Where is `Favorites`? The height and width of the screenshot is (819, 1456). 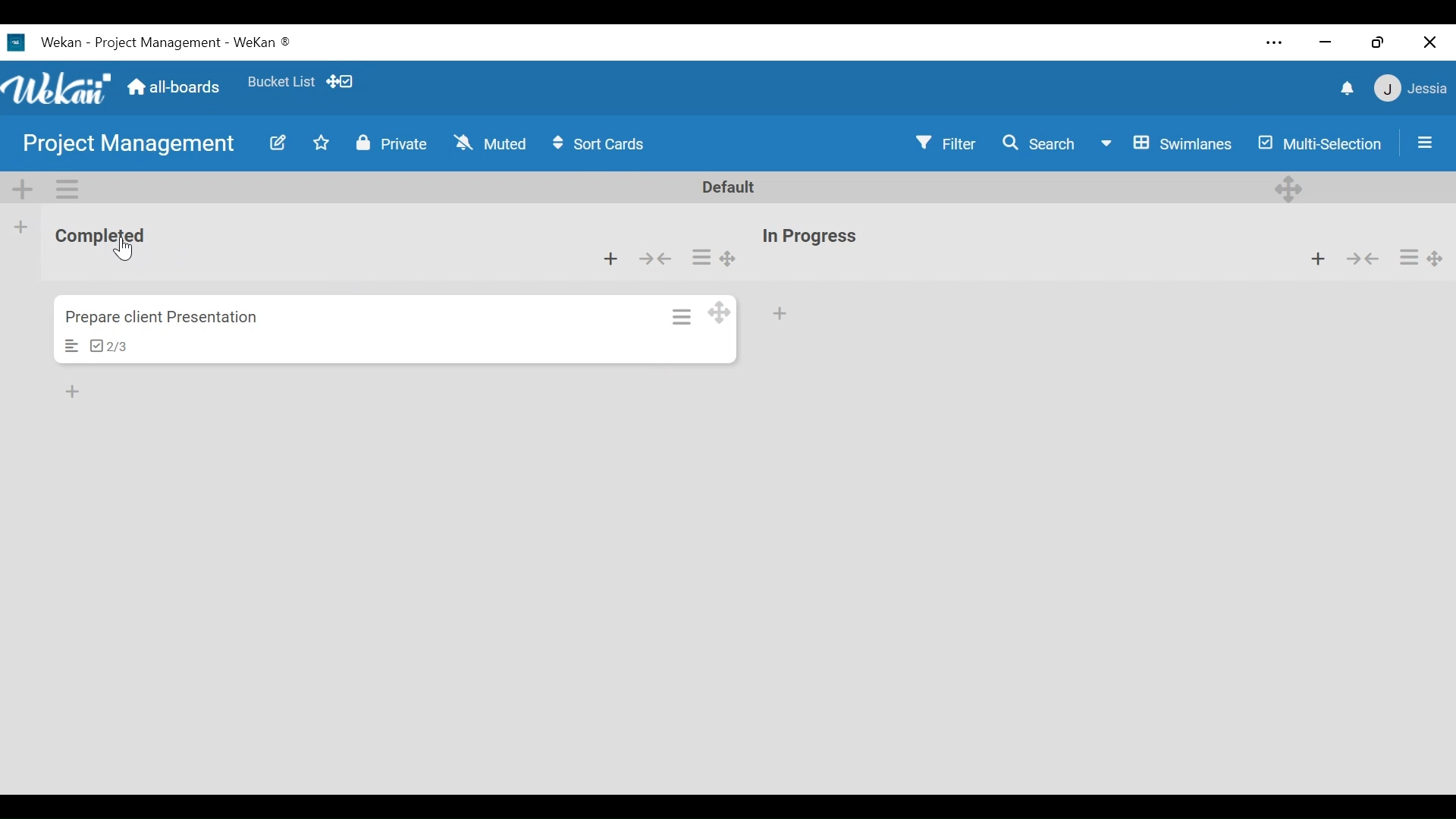
Favorites is located at coordinates (322, 145).